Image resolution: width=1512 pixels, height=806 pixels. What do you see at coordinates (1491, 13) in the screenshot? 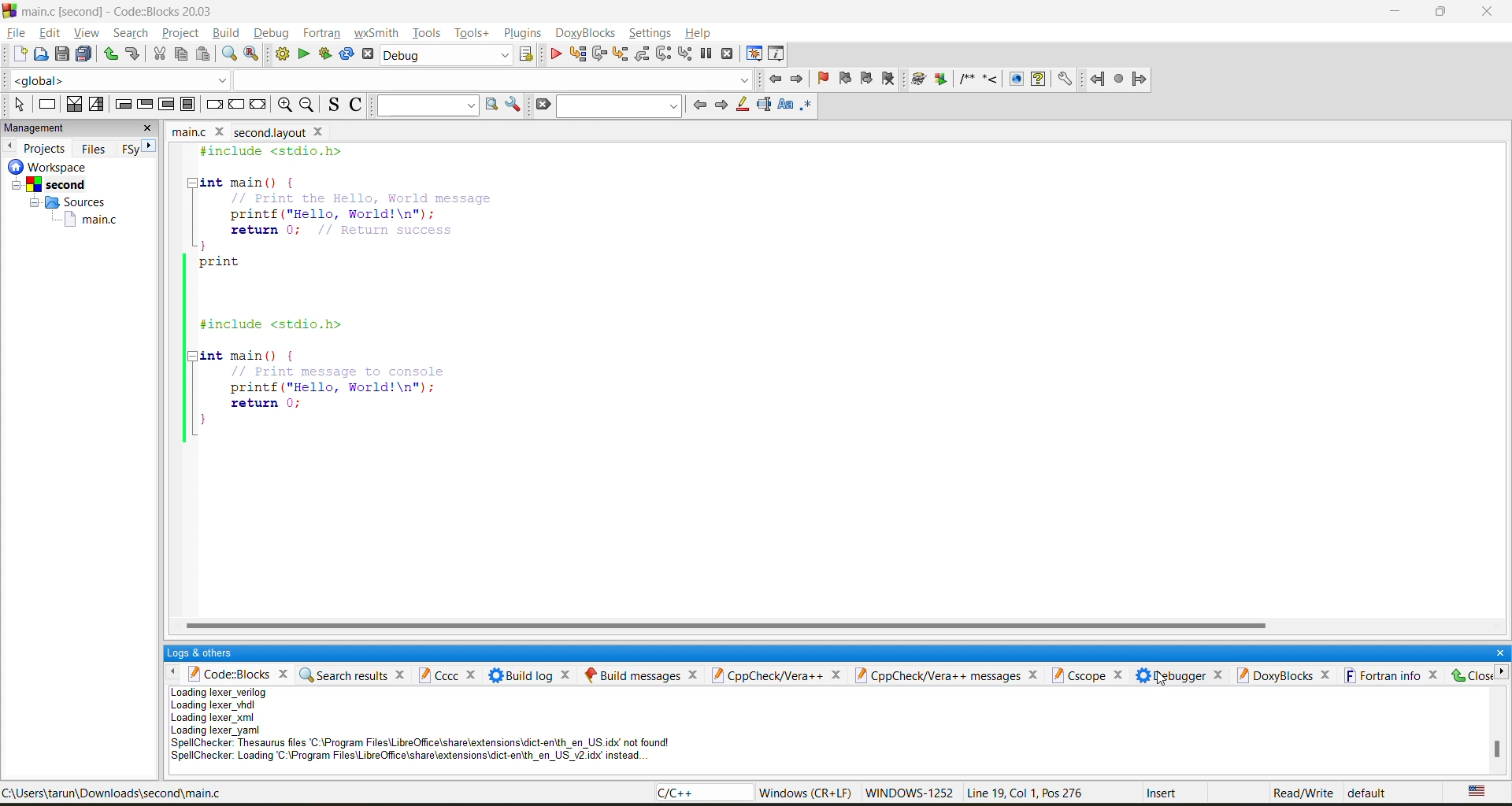
I see `close` at bounding box center [1491, 13].